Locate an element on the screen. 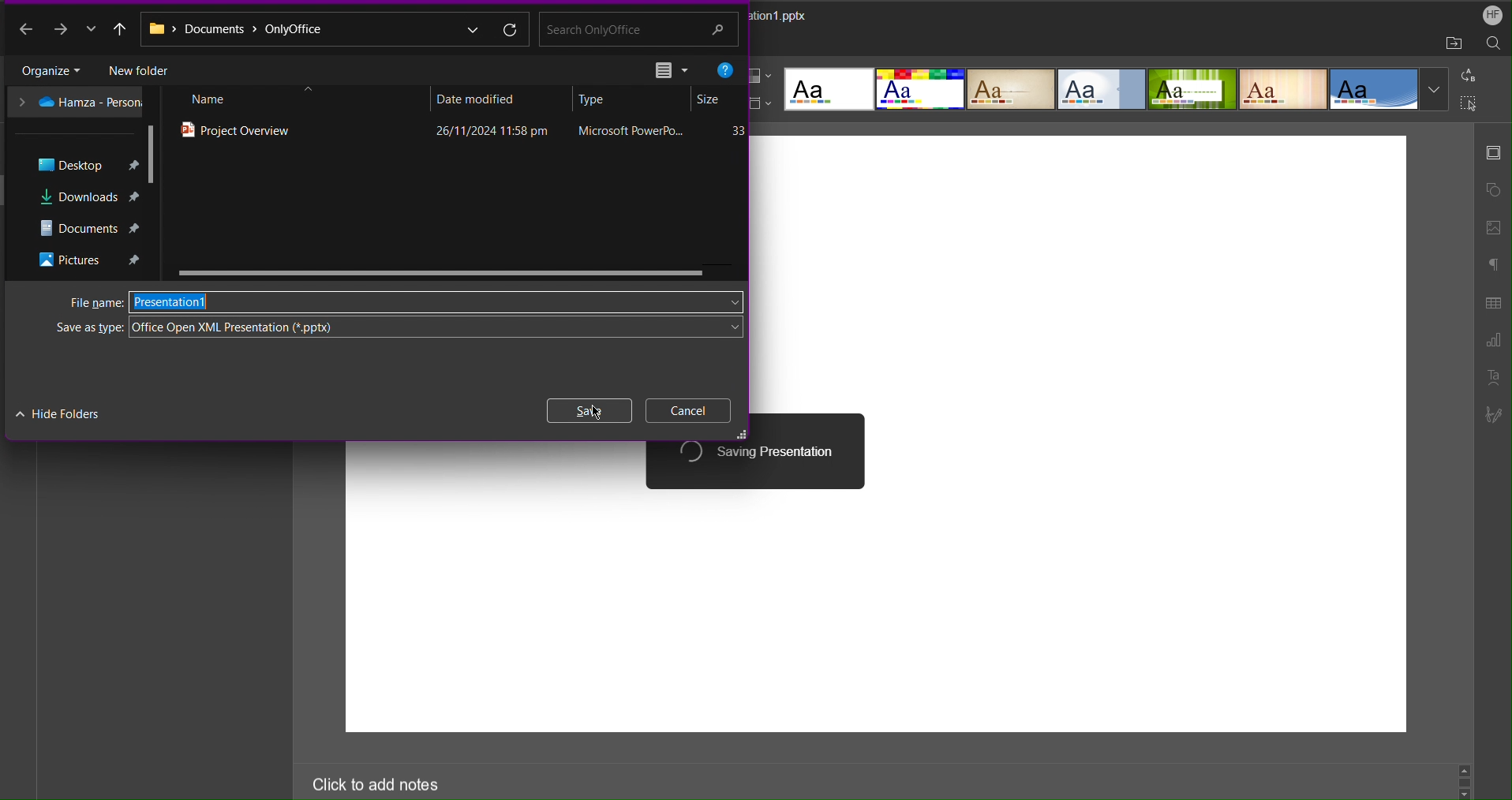 This screenshot has width=1512, height=800. Shape Settings is located at coordinates (1492, 192).